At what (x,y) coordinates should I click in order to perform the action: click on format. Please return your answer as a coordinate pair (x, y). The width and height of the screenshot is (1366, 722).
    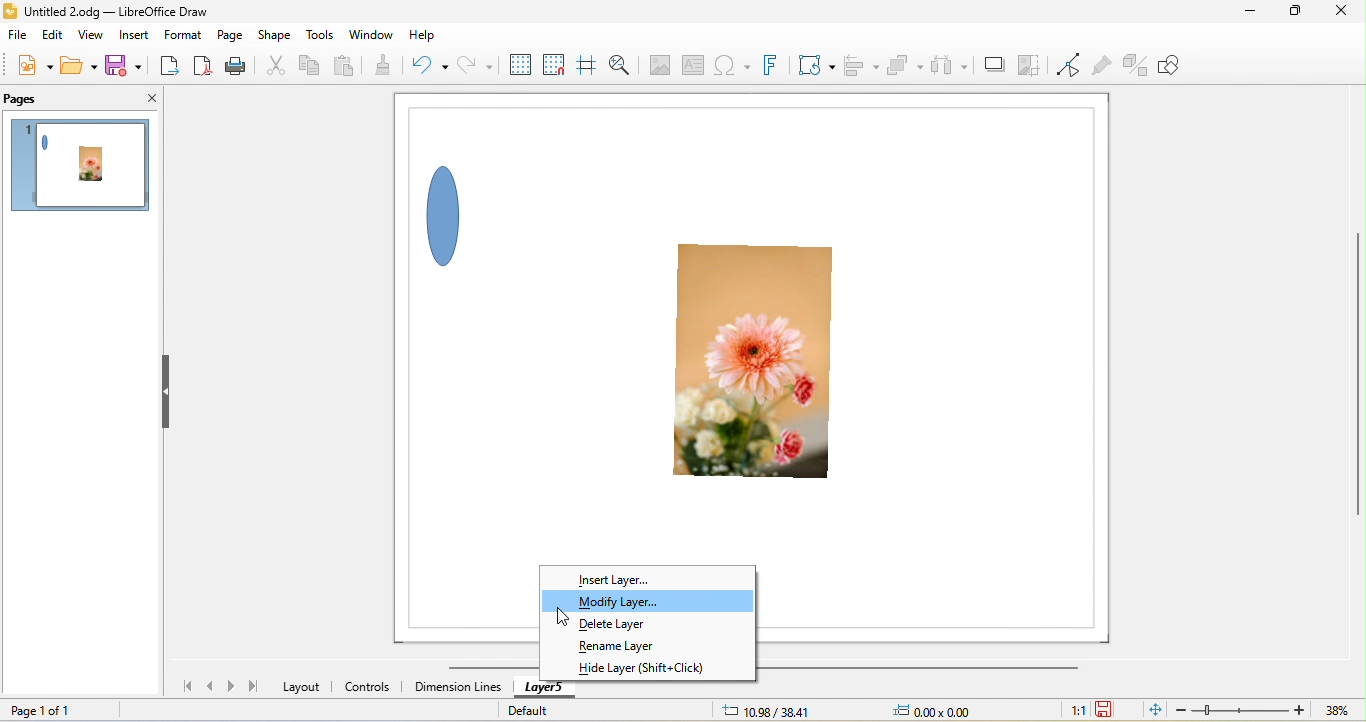
    Looking at the image, I should click on (183, 35).